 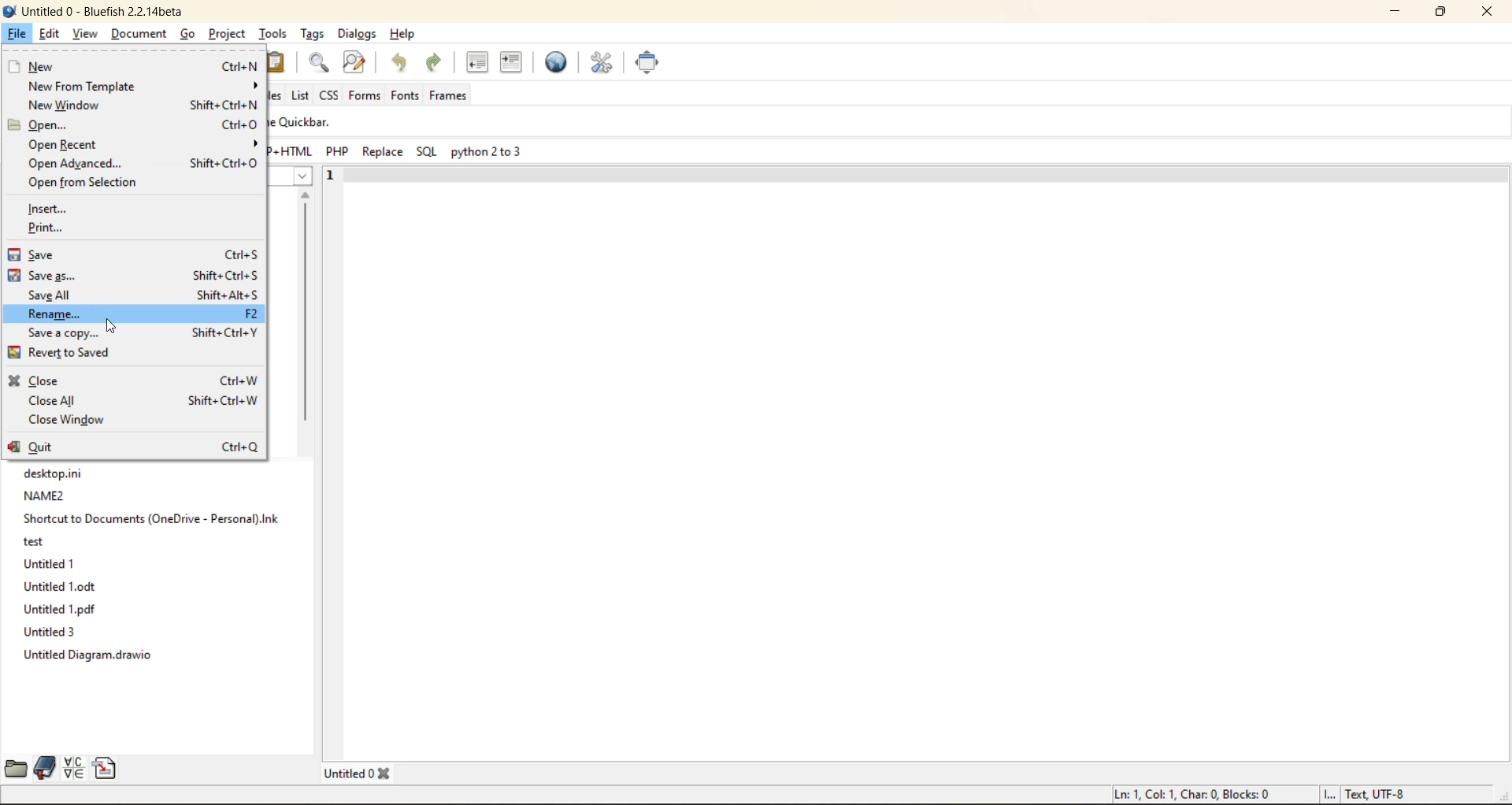 I want to click on preview in browser, so click(x=556, y=62).